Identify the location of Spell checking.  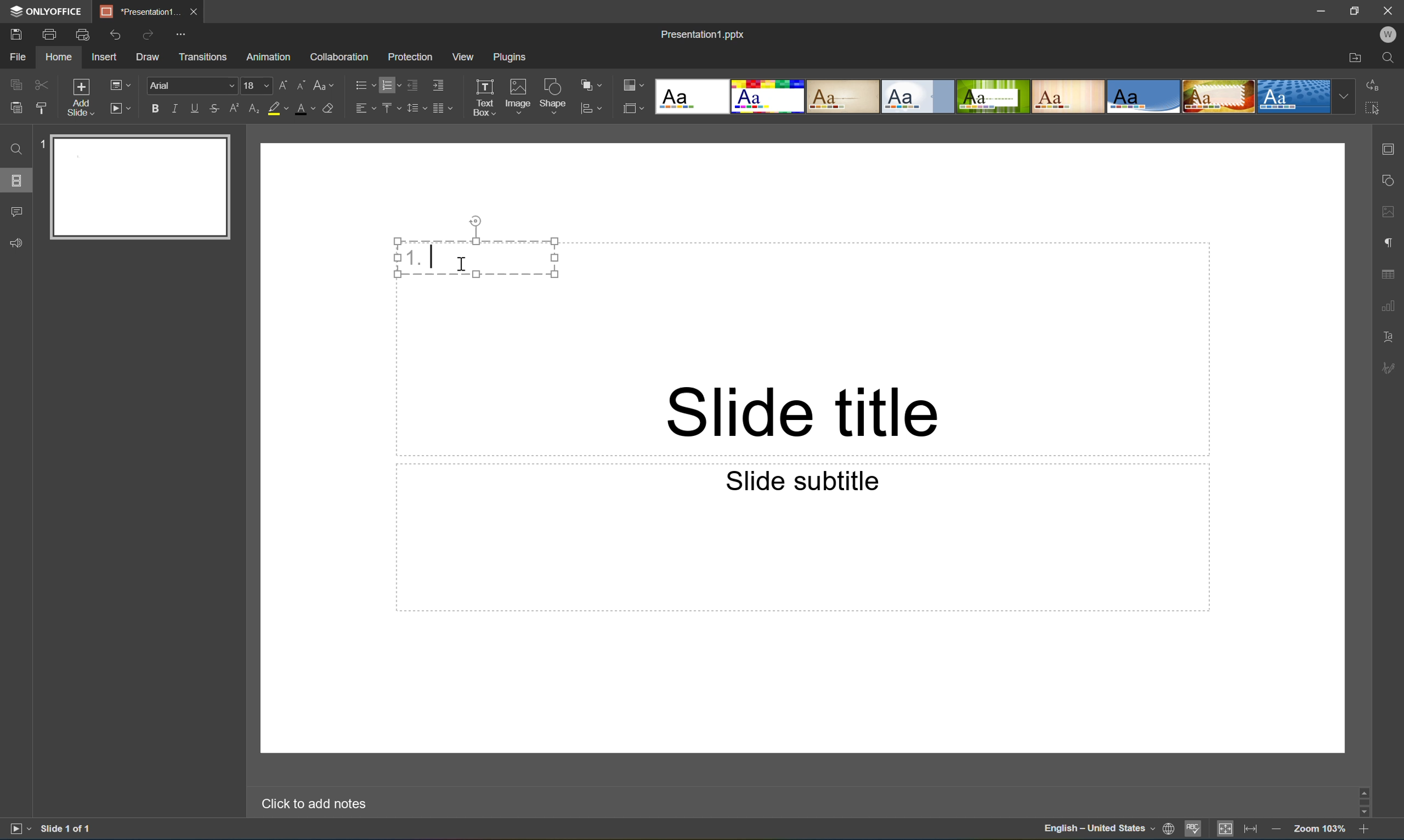
(1193, 829).